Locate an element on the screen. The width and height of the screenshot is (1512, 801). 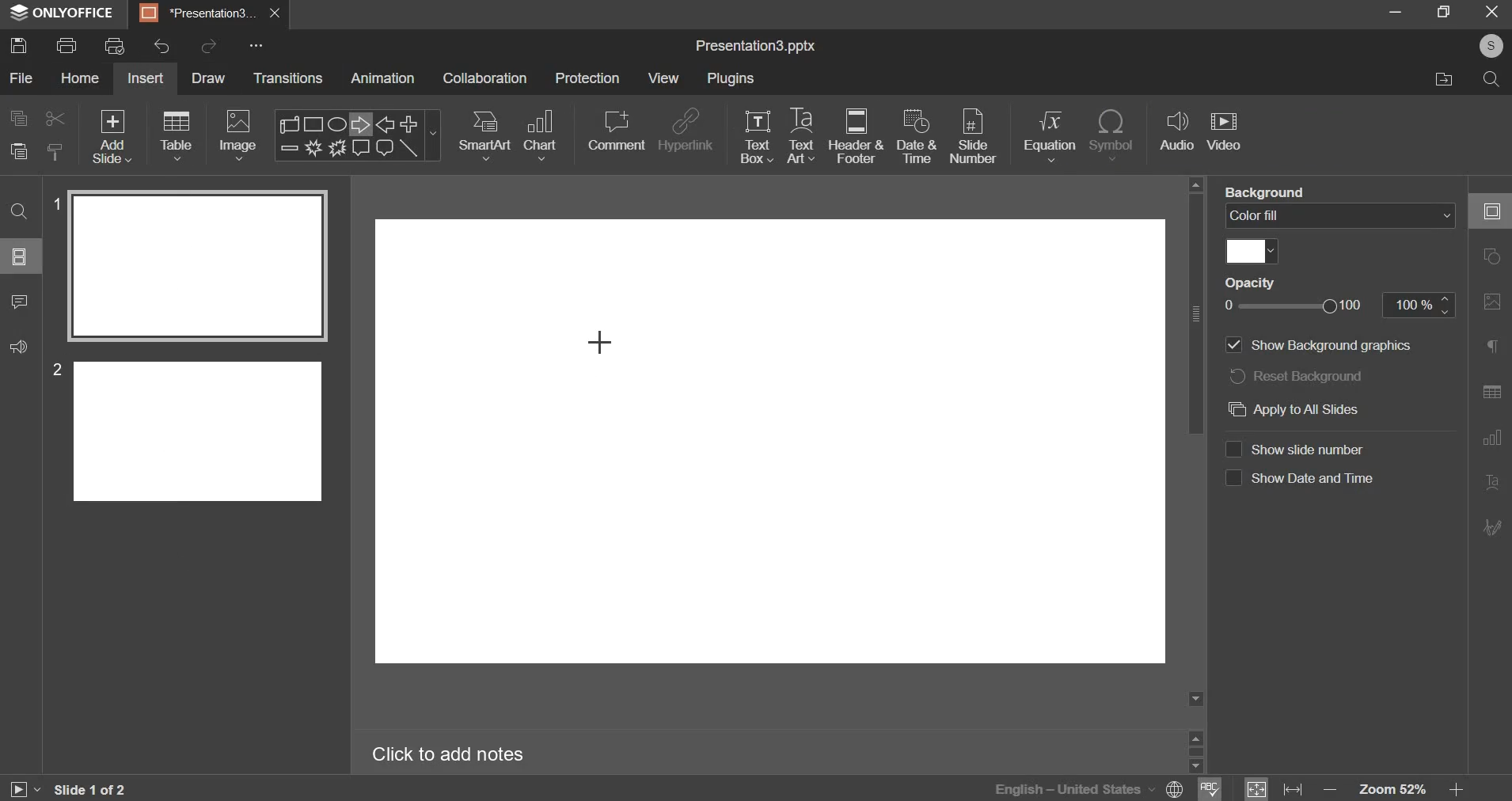
Image settings is located at coordinates (1492, 302).